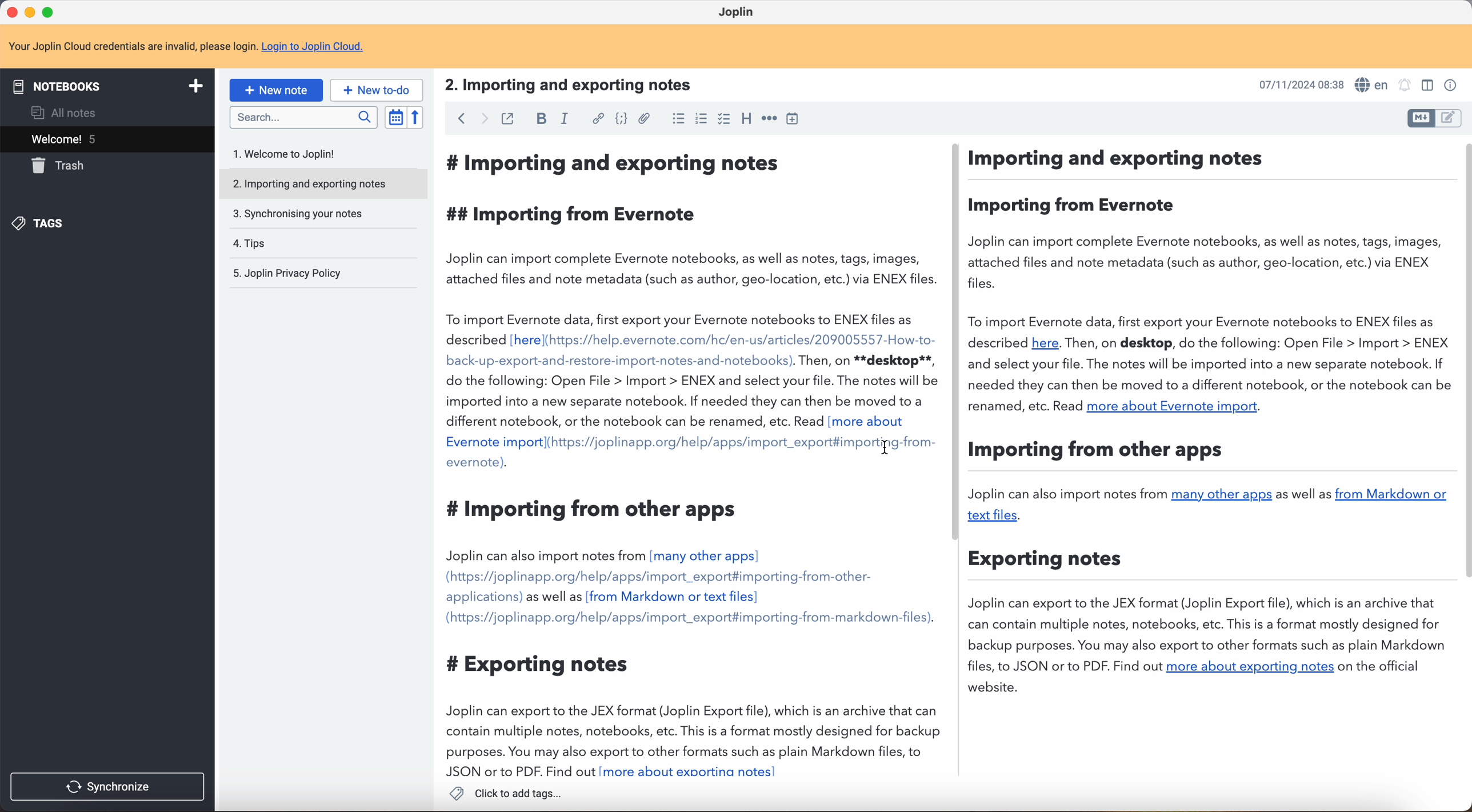 The height and width of the screenshot is (812, 1472). What do you see at coordinates (578, 85) in the screenshot?
I see `title: 2. Importing and exporting notes` at bounding box center [578, 85].